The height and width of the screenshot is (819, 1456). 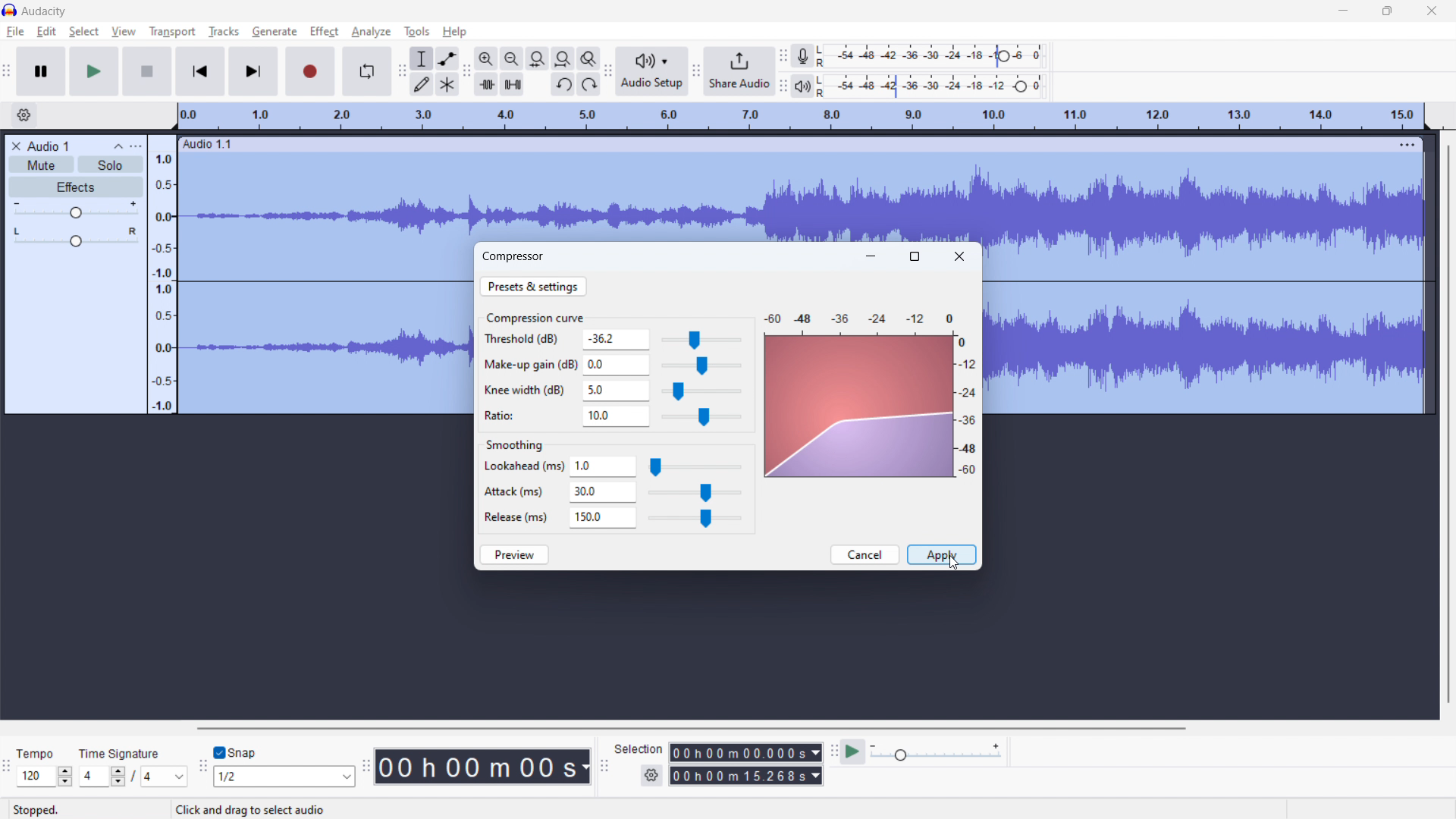 What do you see at coordinates (203, 766) in the screenshot?
I see `snapping toolbar` at bounding box center [203, 766].